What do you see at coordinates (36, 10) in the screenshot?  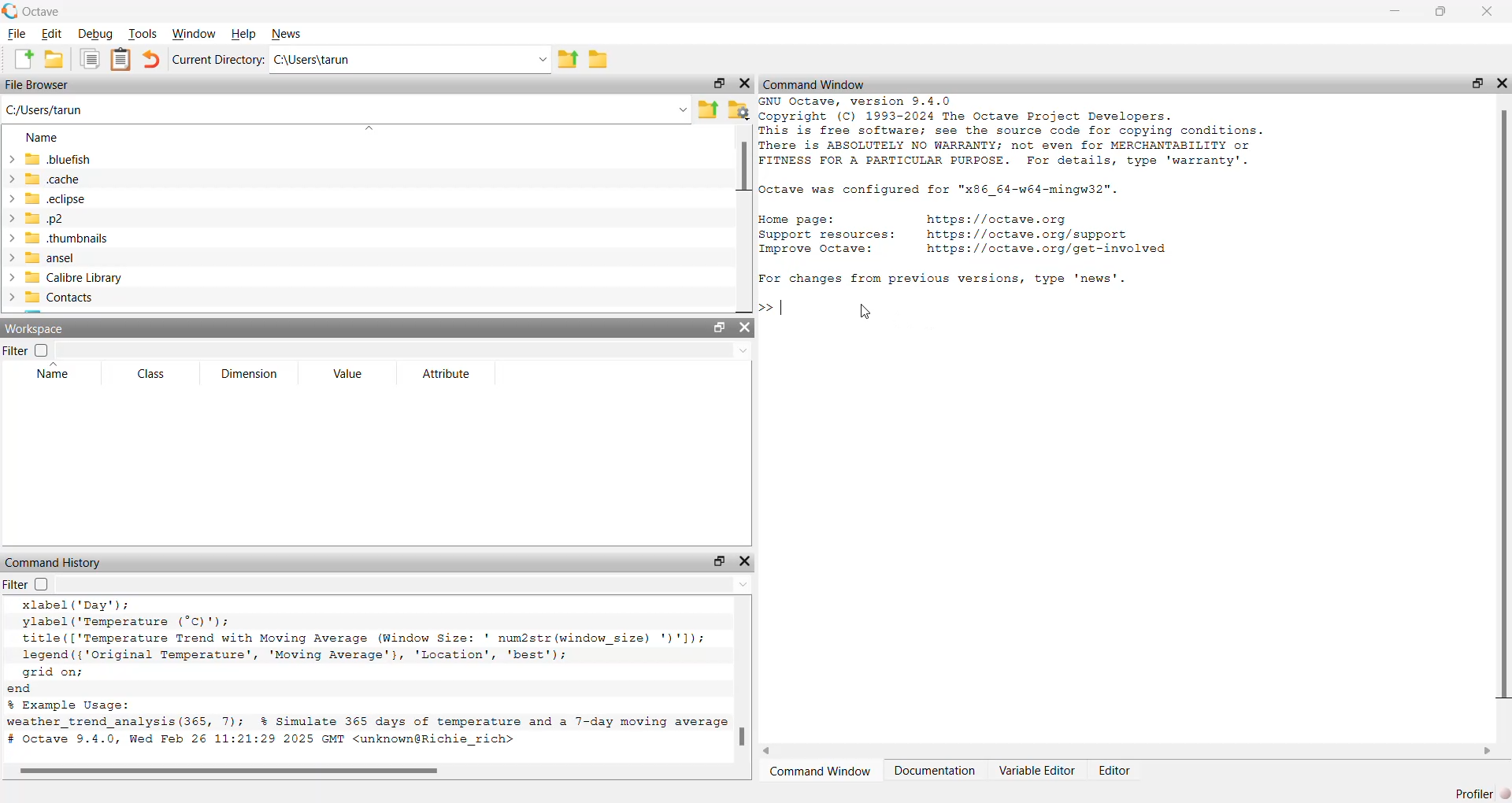 I see `Octave` at bounding box center [36, 10].